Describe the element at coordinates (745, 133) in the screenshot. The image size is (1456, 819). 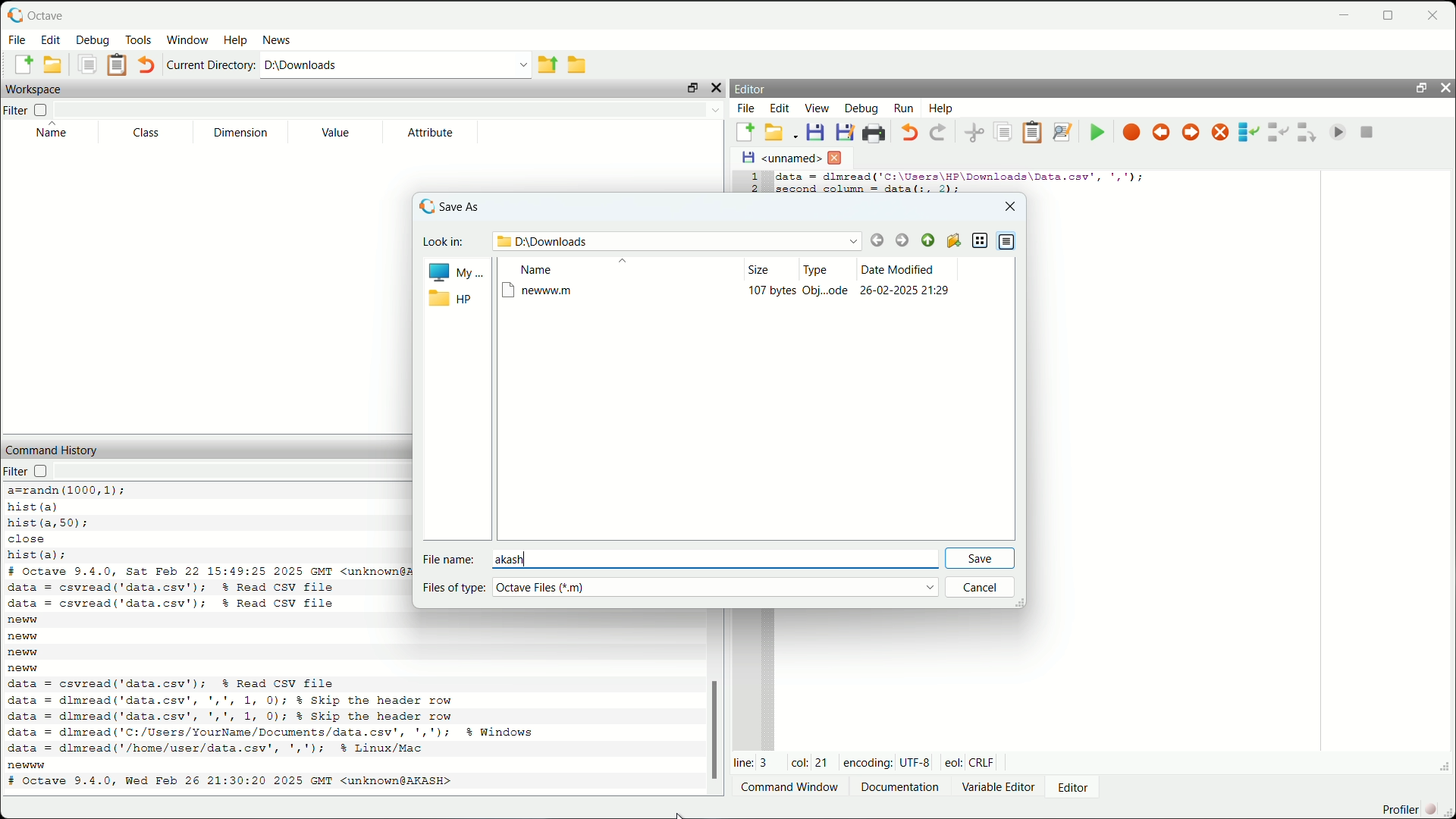
I see `new script` at that location.